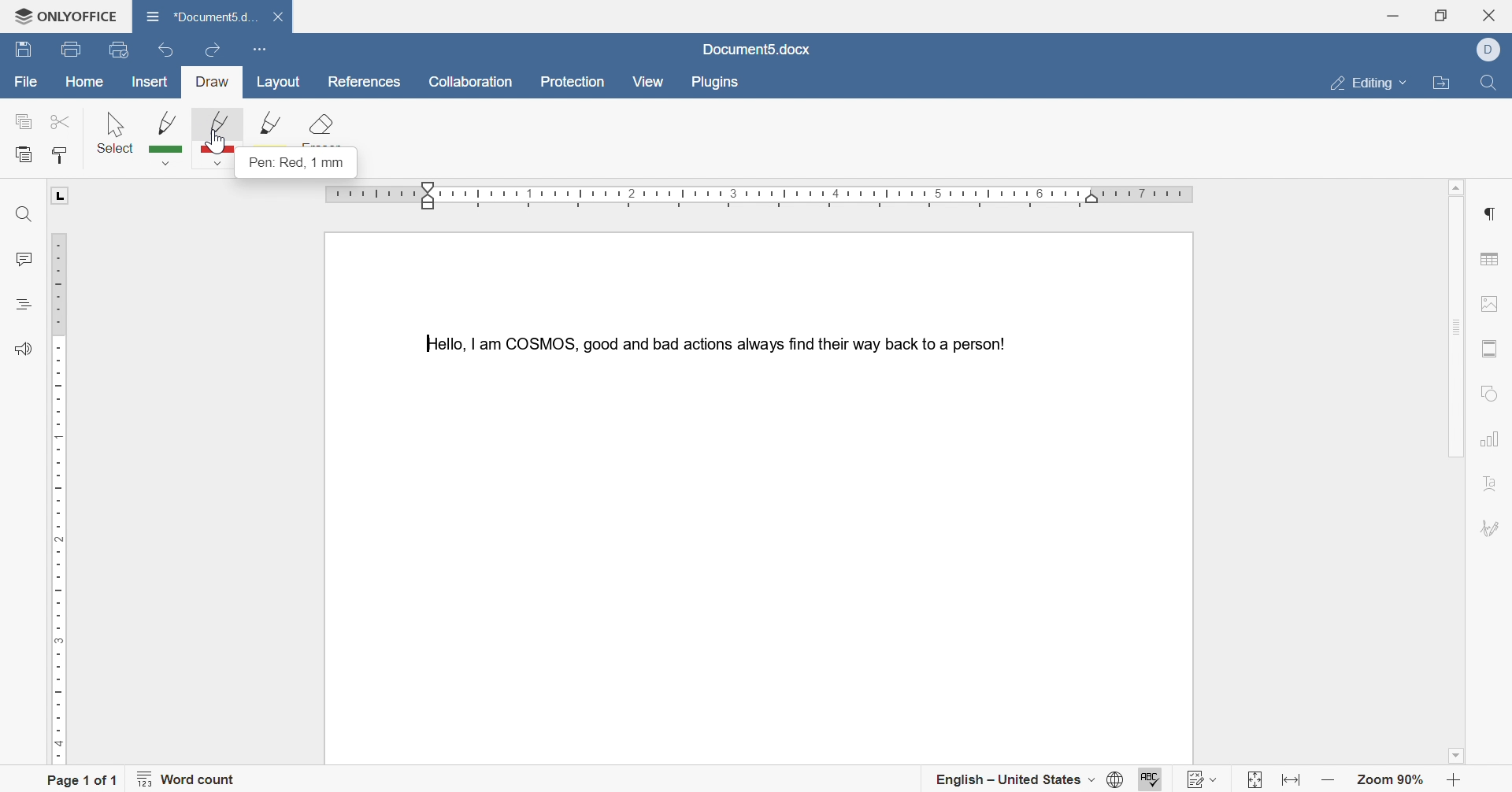  What do you see at coordinates (24, 123) in the screenshot?
I see `copy` at bounding box center [24, 123].